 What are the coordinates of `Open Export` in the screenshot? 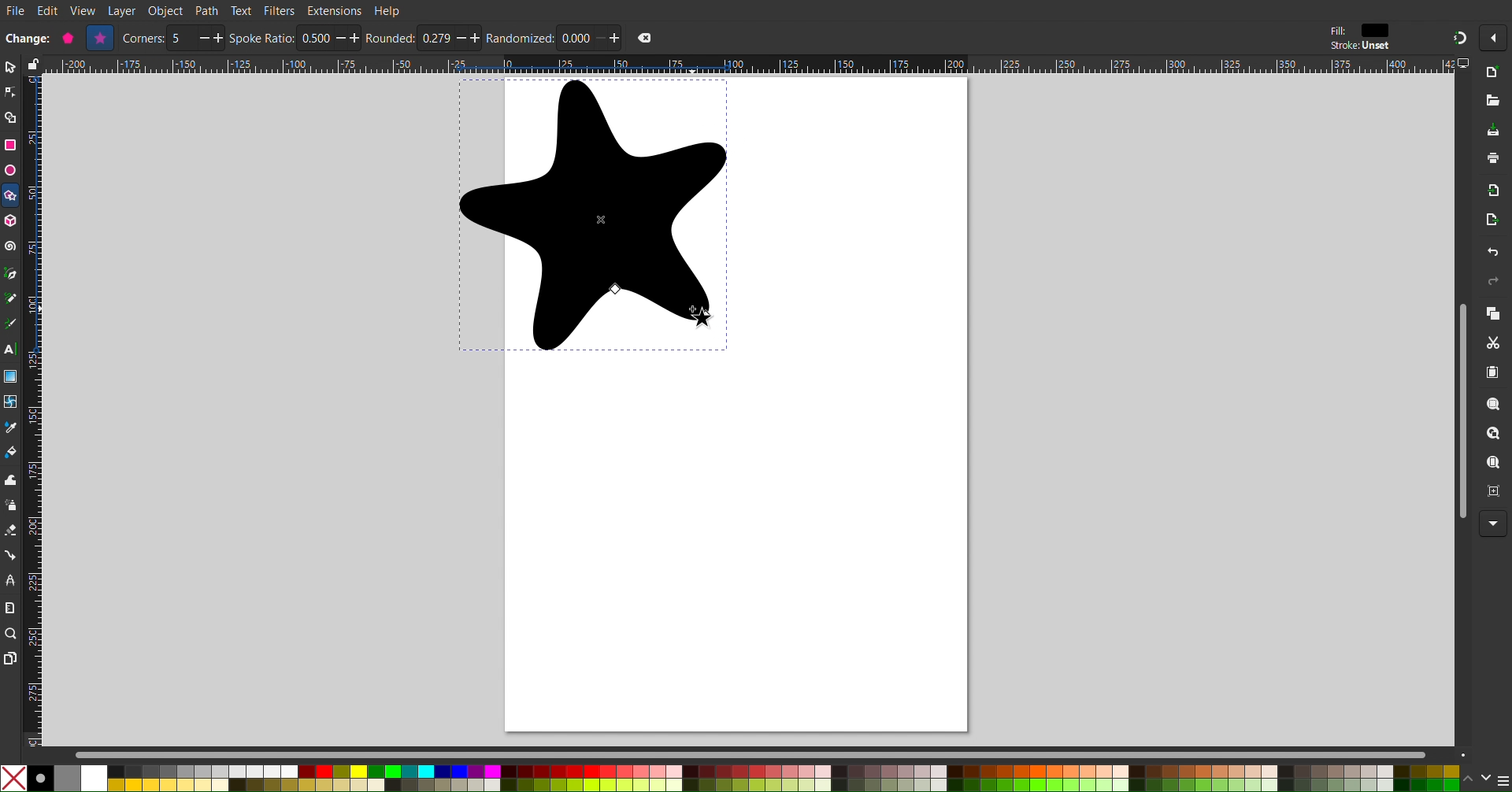 It's located at (1493, 222).